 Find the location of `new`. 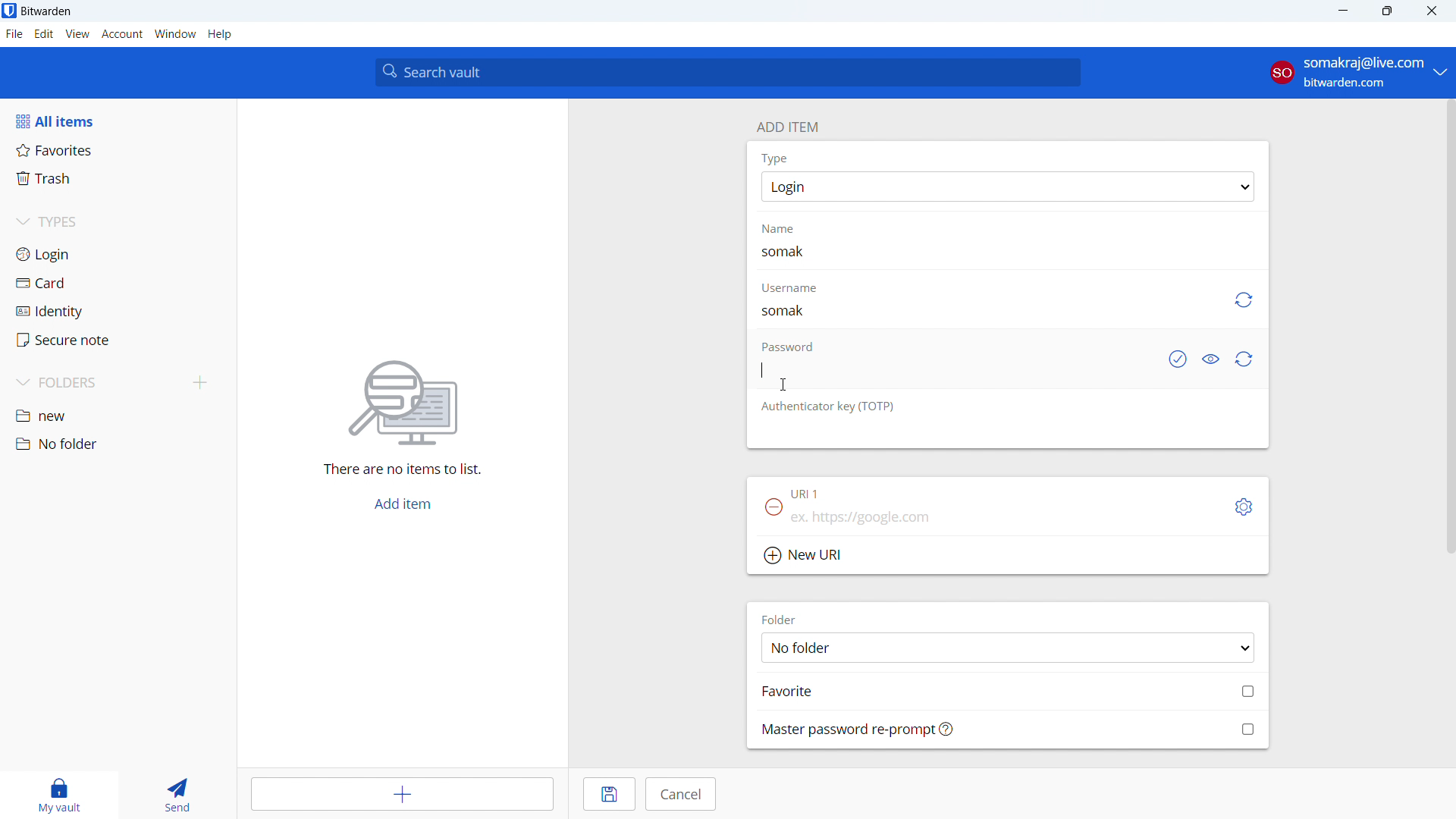

new is located at coordinates (118, 417).